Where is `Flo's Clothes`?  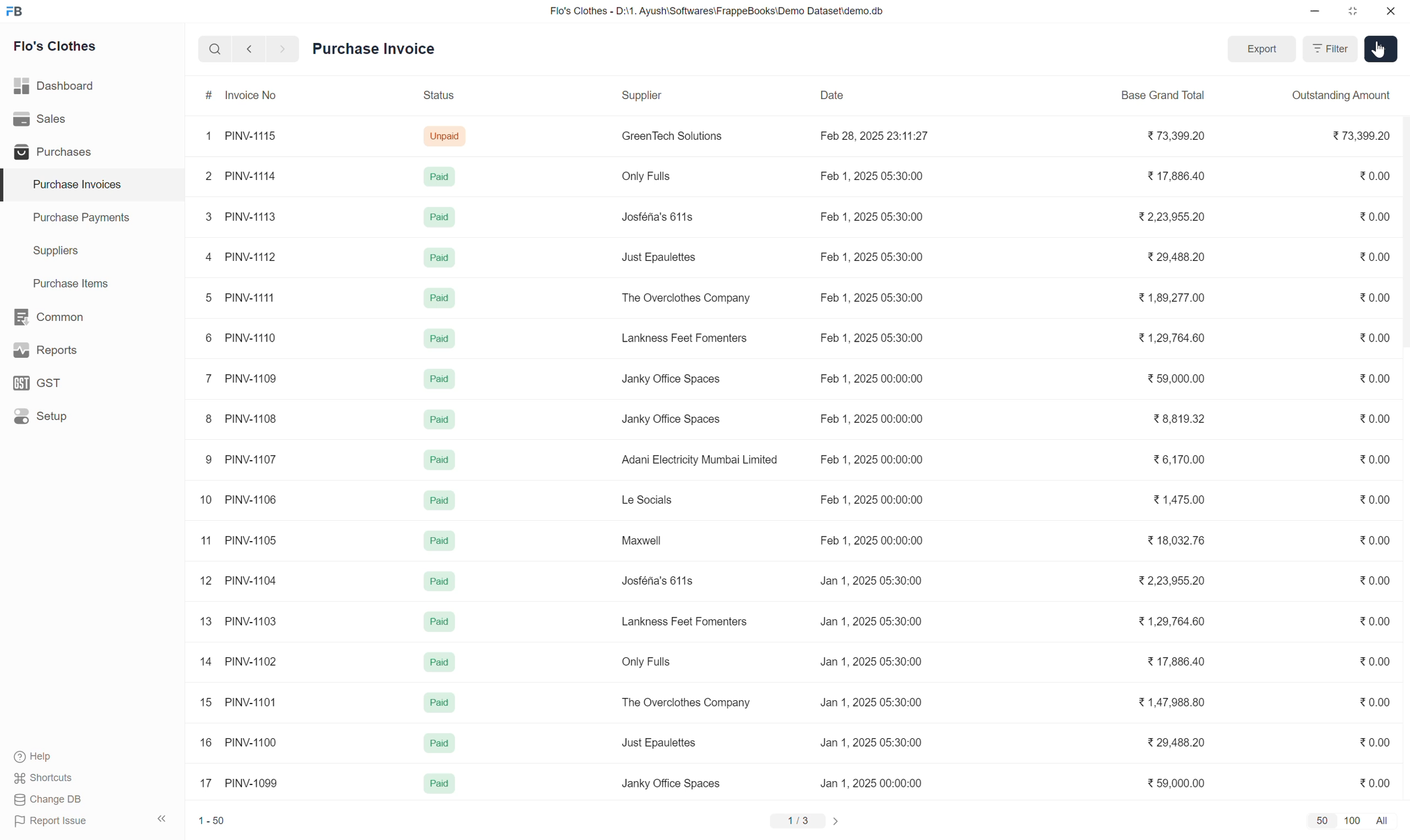 Flo's Clothes is located at coordinates (57, 48).